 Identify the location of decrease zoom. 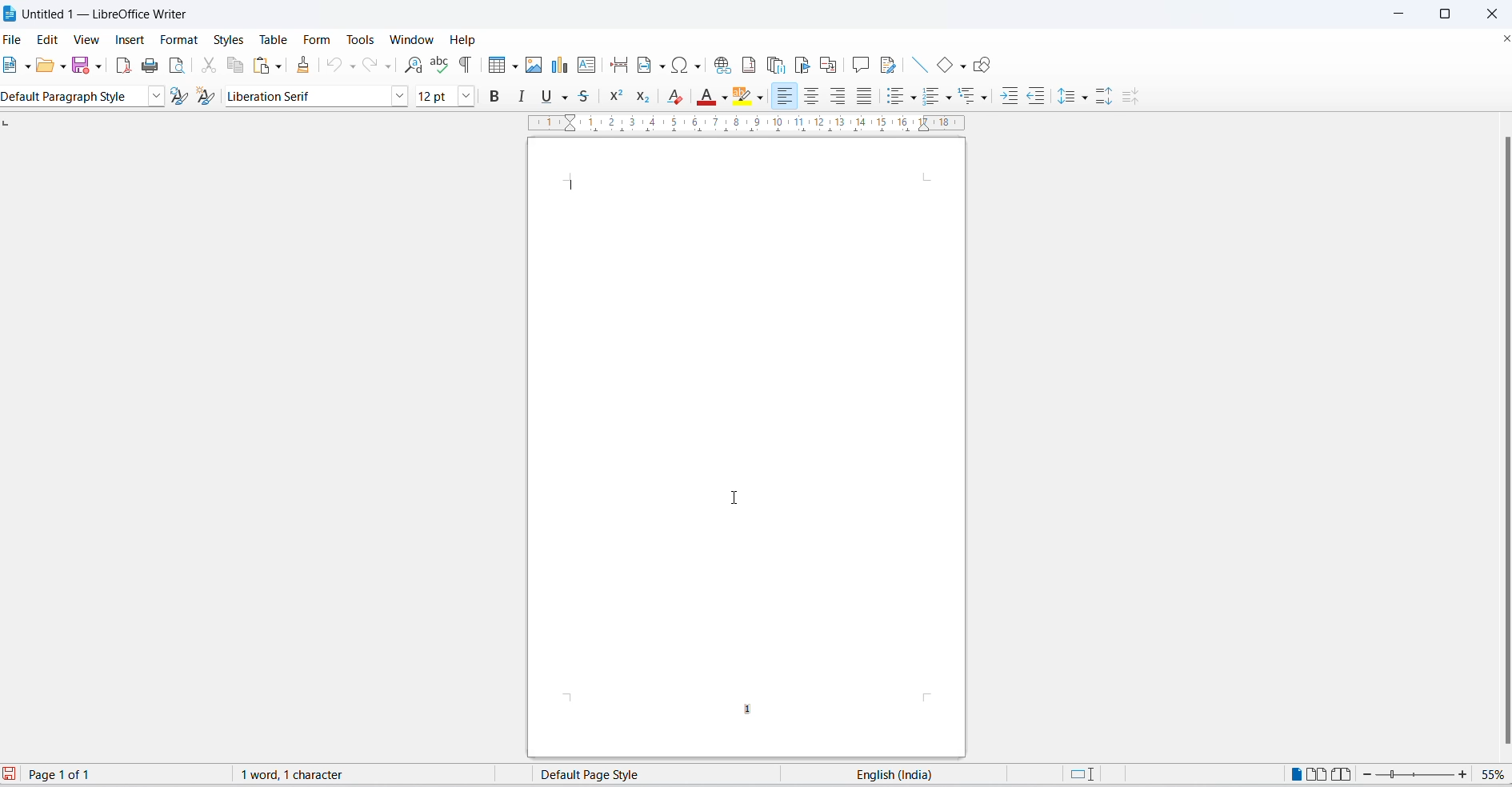
(1369, 775).